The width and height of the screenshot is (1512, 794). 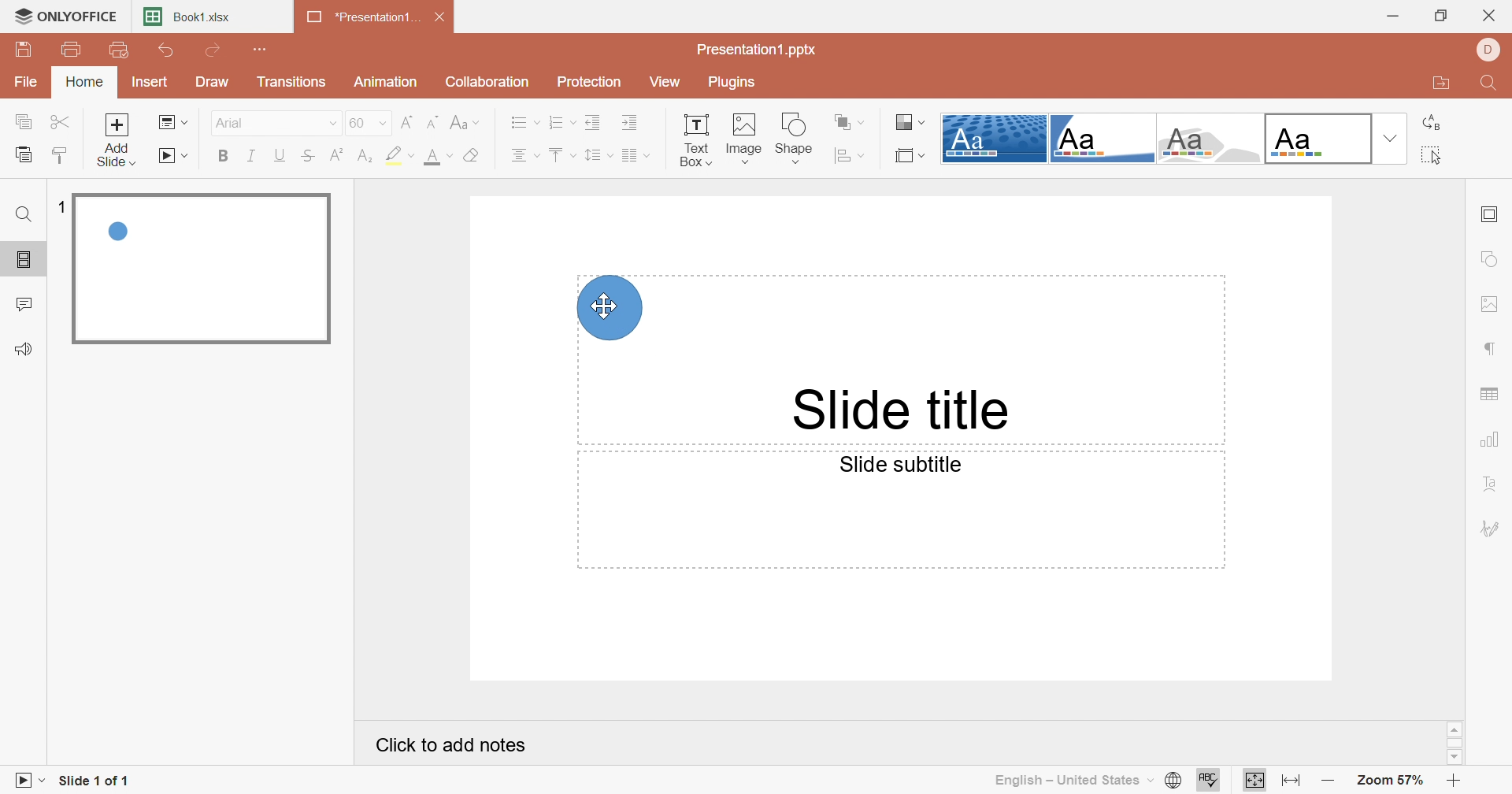 What do you see at coordinates (1317, 139) in the screenshot?
I see `Blank` at bounding box center [1317, 139].